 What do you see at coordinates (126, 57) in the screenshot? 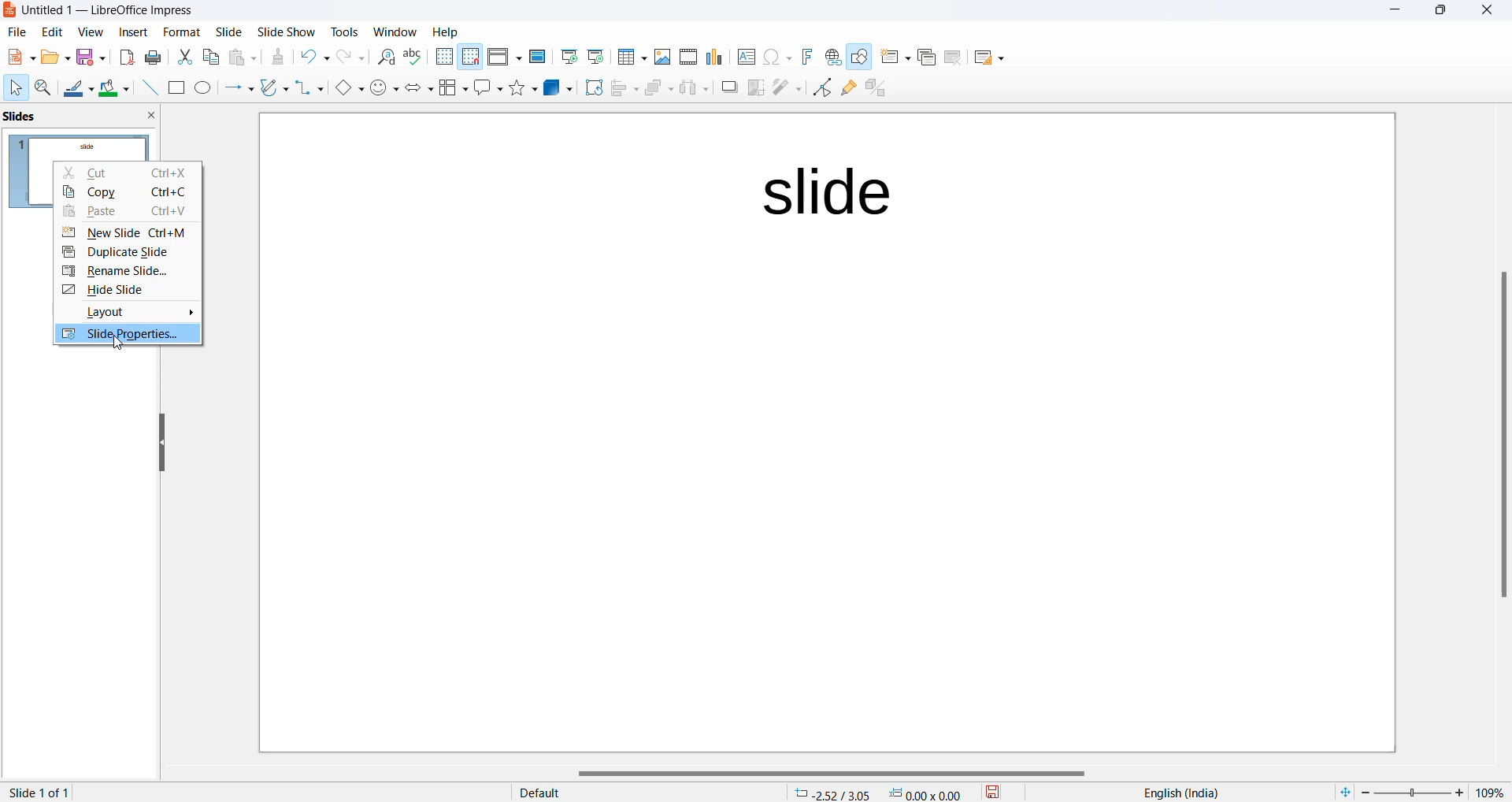
I see `export as pdf ` at bounding box center [126, 57].